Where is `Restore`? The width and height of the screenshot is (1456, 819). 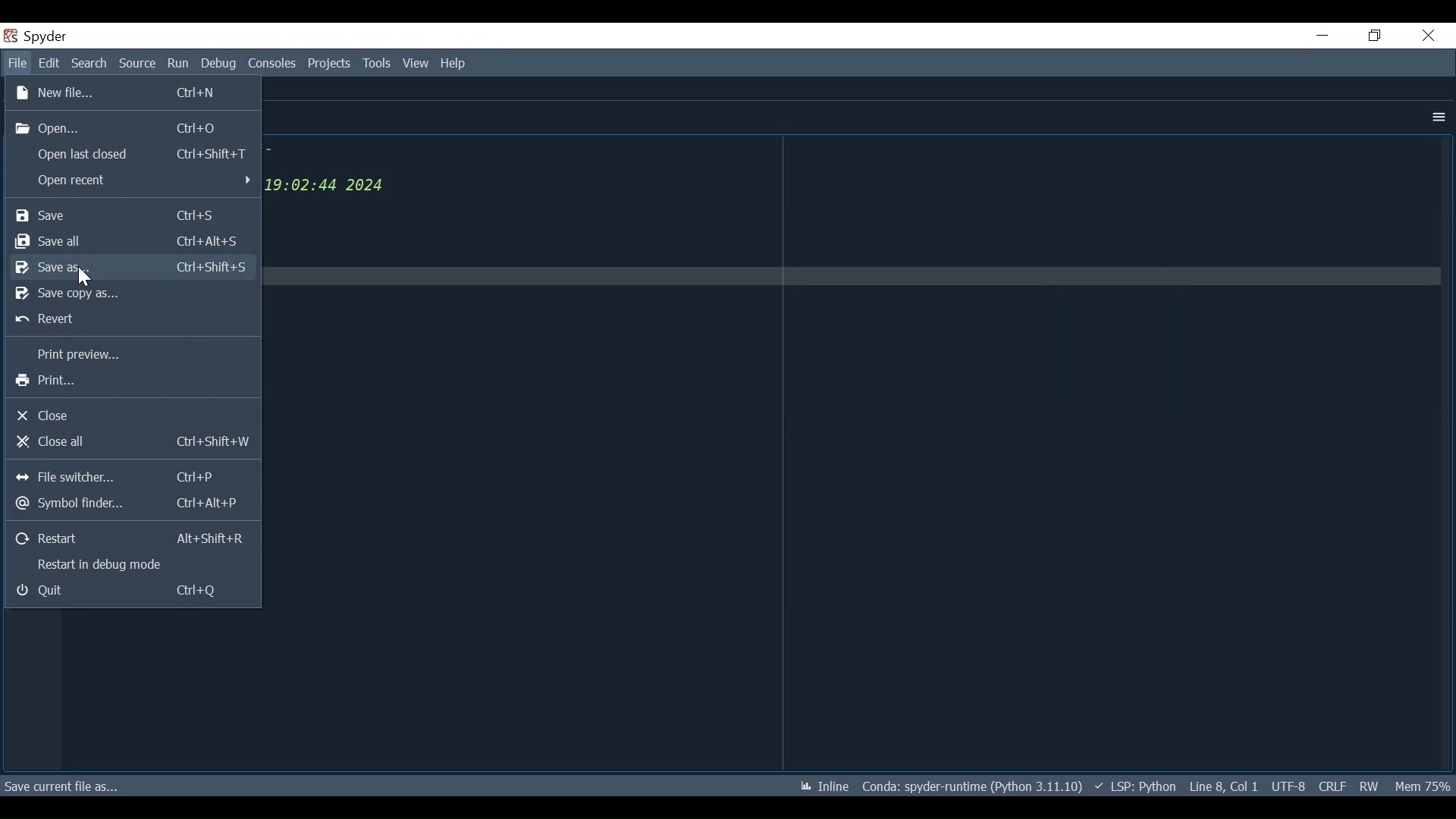 Restore is located at coordinates (1373, 36).